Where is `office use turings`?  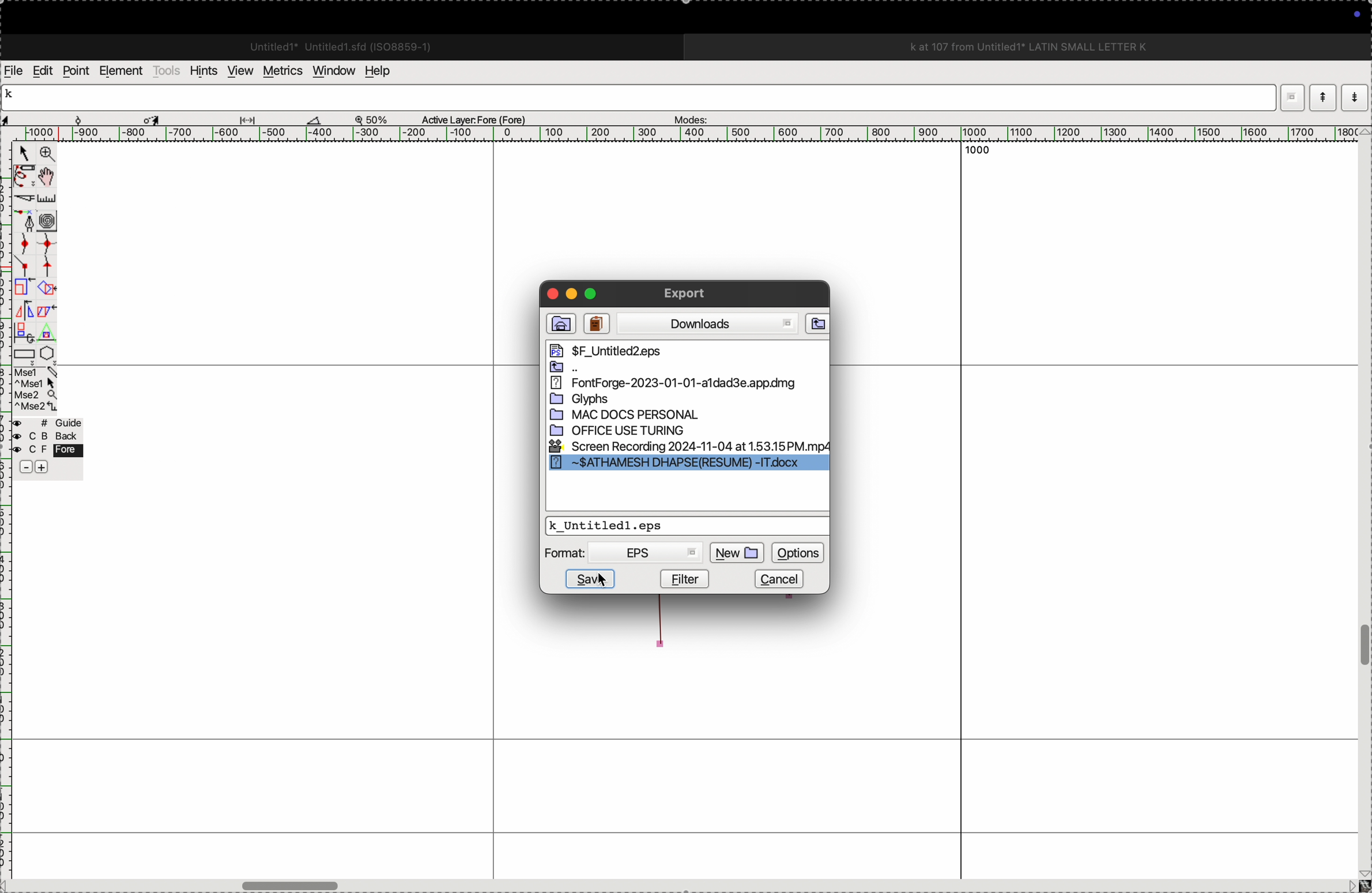 office use turings is located at coordinates (639, 430).